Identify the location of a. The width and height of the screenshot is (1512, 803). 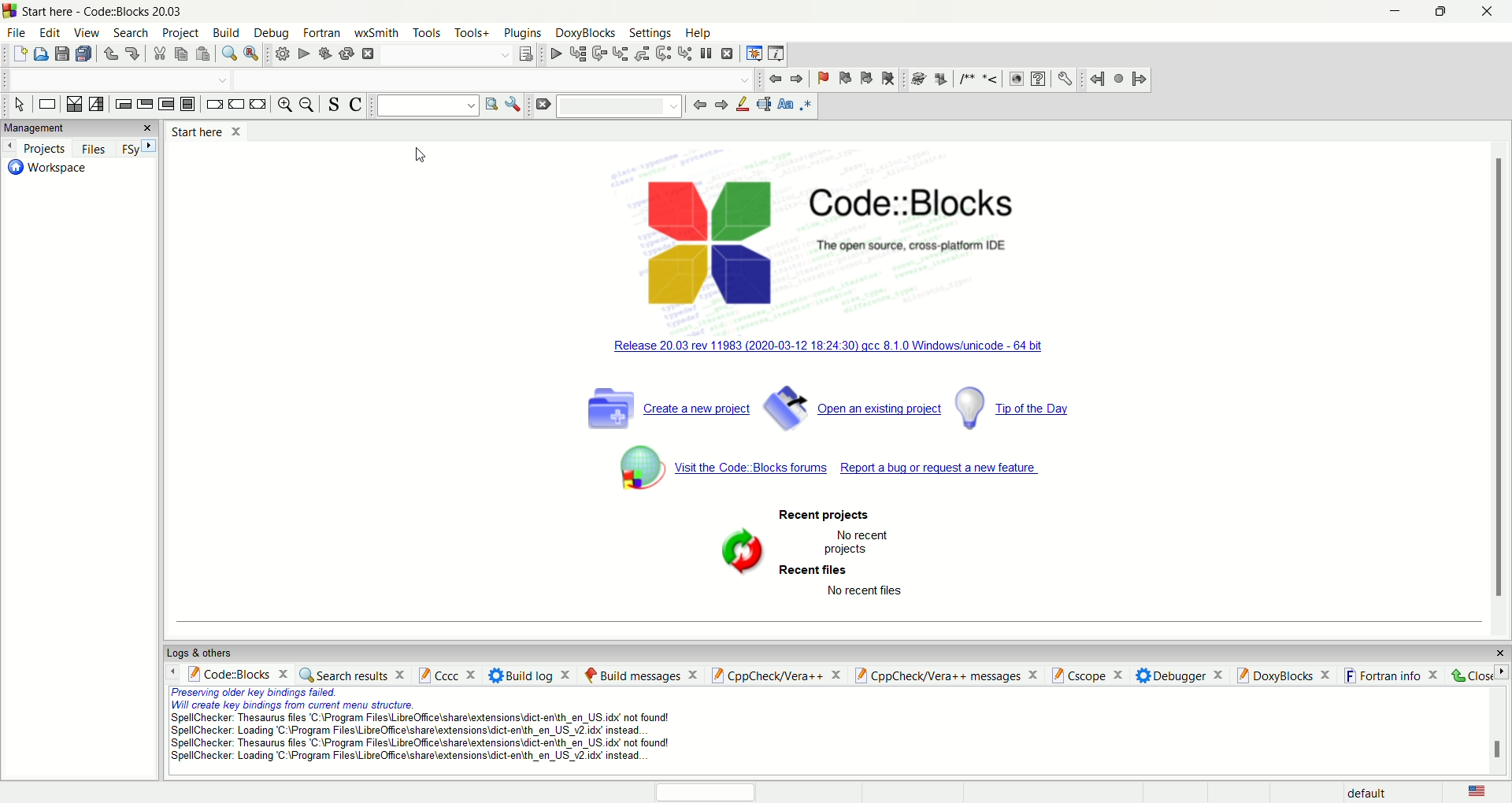
(367, 54).